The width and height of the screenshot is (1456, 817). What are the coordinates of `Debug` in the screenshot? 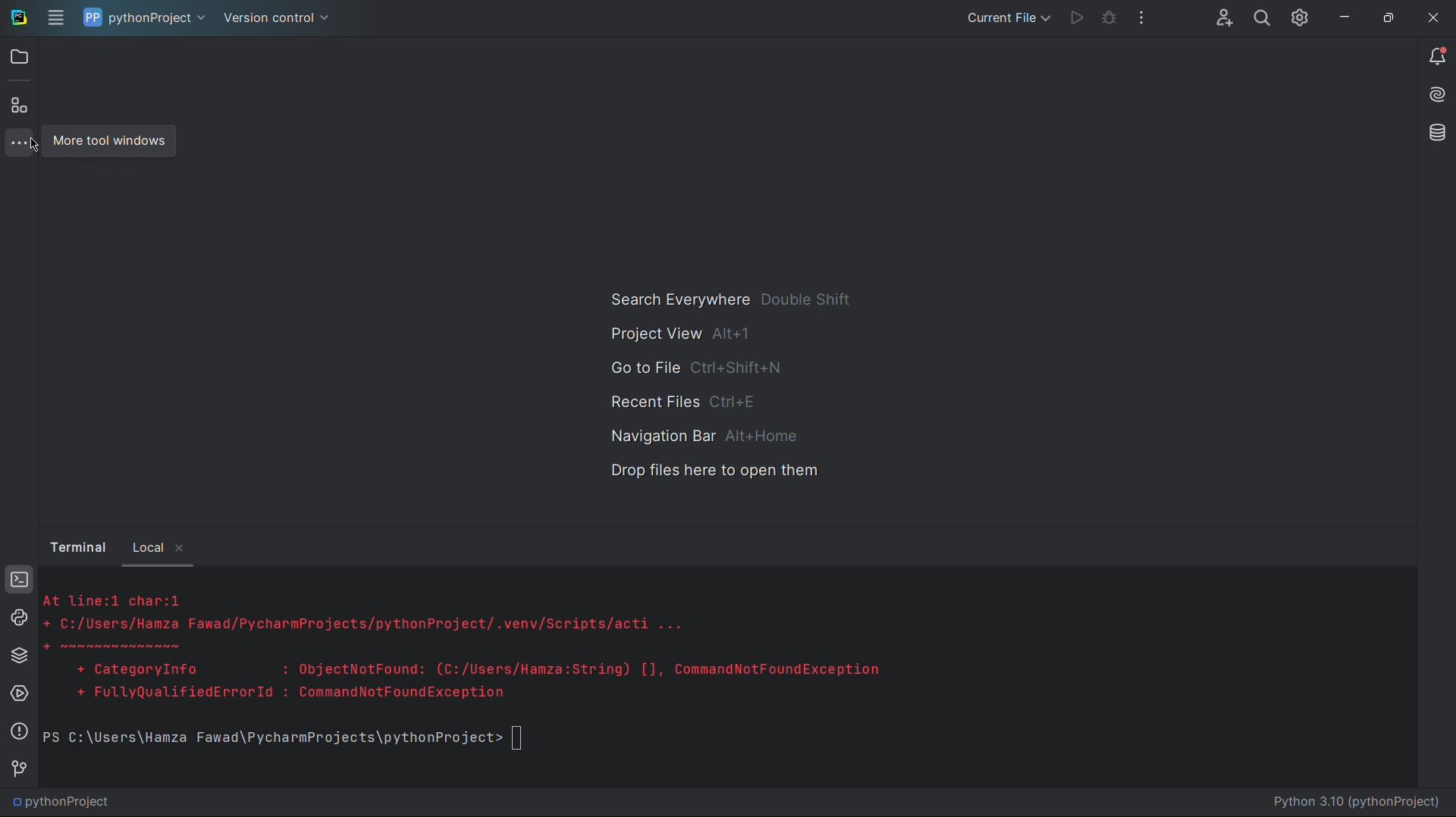 It's located at (1109, 14).